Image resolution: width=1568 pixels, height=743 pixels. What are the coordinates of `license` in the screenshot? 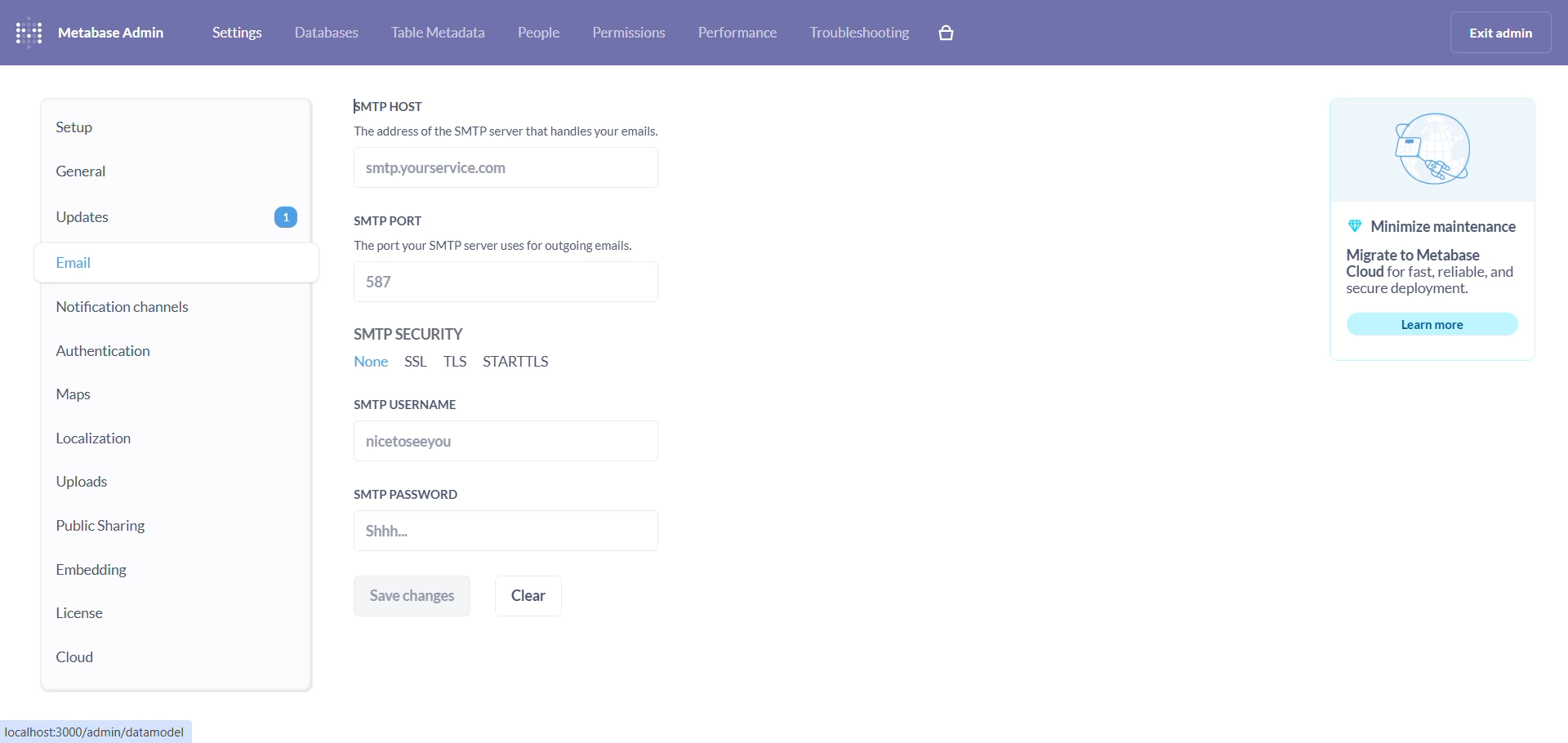 It's located at (154, 615).